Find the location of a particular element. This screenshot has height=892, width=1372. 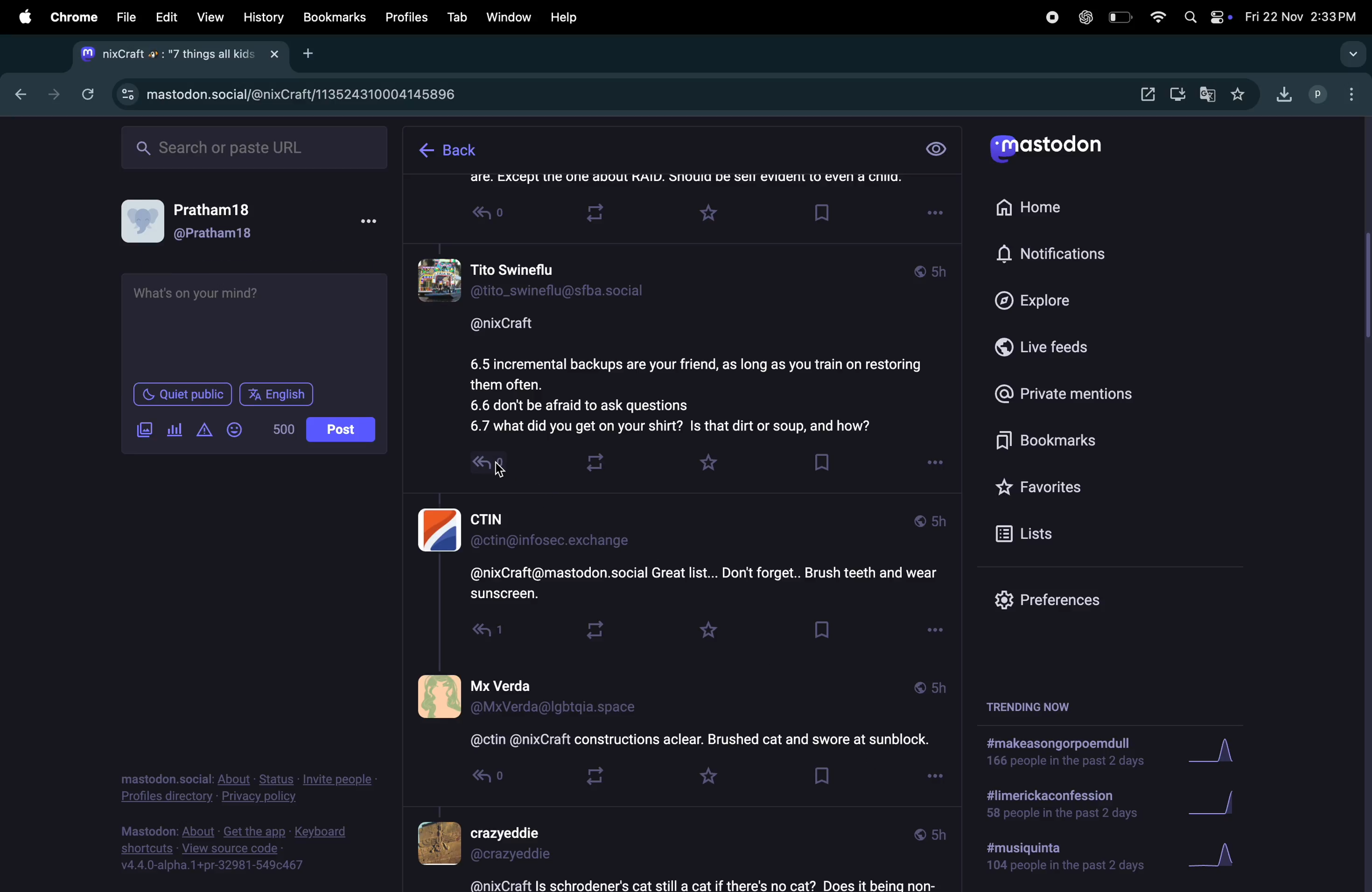

polls is located at coordinates (175, 428).